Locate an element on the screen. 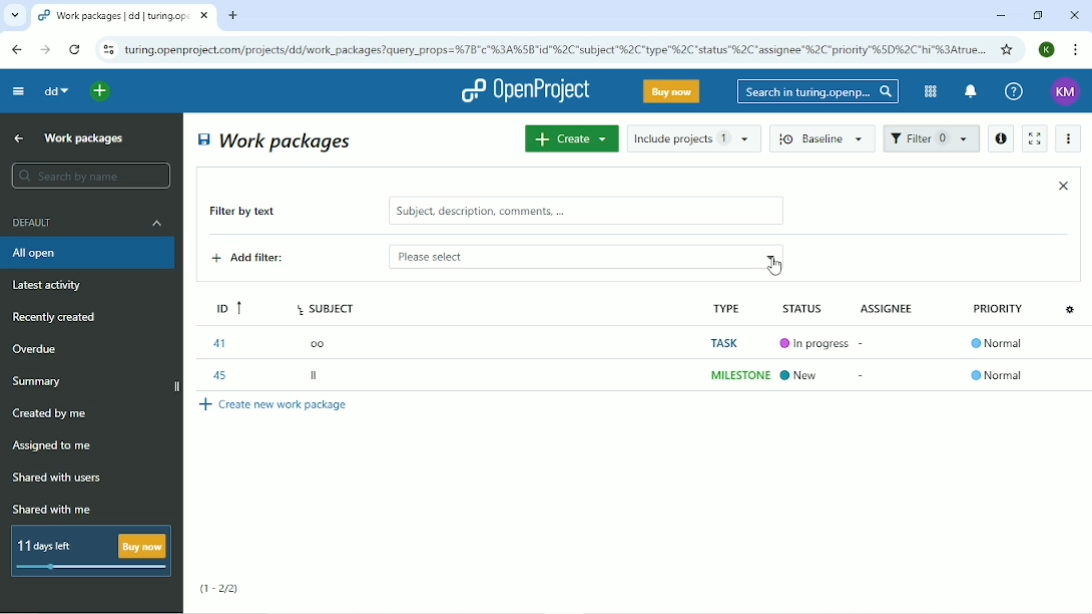 The height and width of the screenshot is (614, 1092). Baseline is located at coordinates (824, 138).